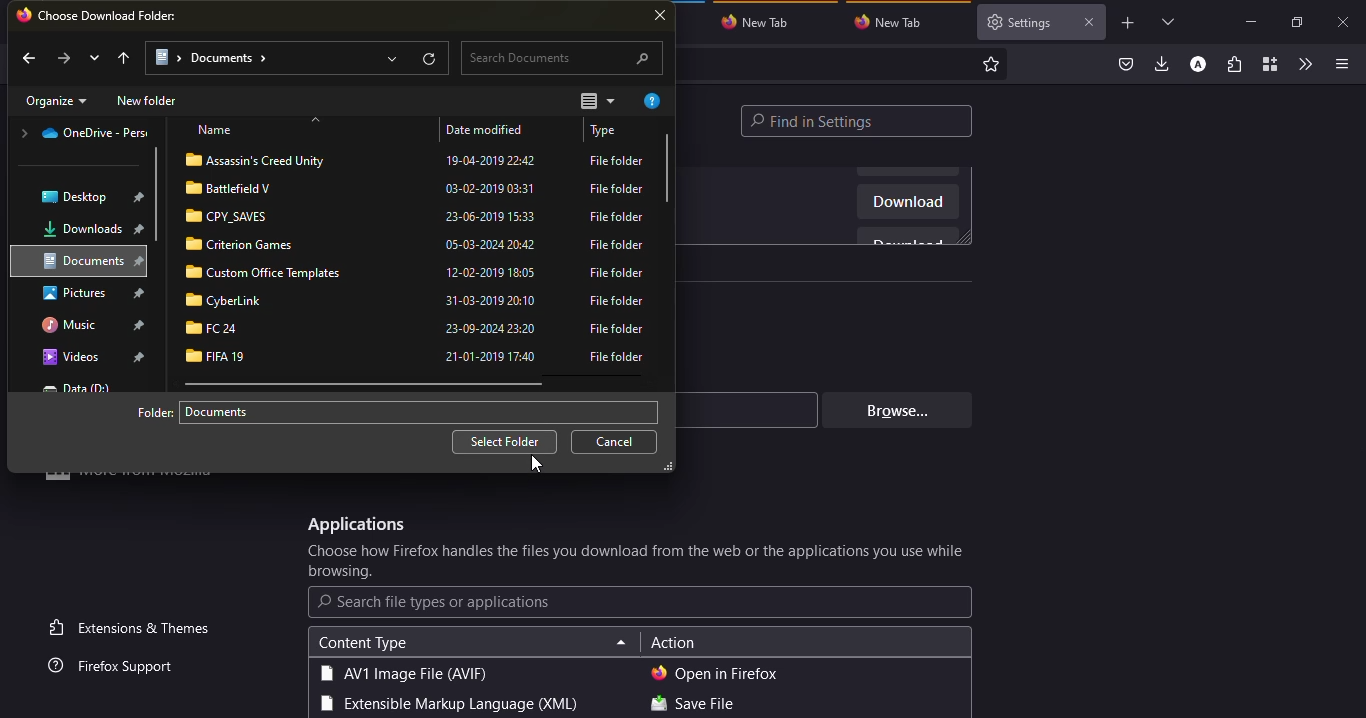  I want to click on account, so click(1198, 65).